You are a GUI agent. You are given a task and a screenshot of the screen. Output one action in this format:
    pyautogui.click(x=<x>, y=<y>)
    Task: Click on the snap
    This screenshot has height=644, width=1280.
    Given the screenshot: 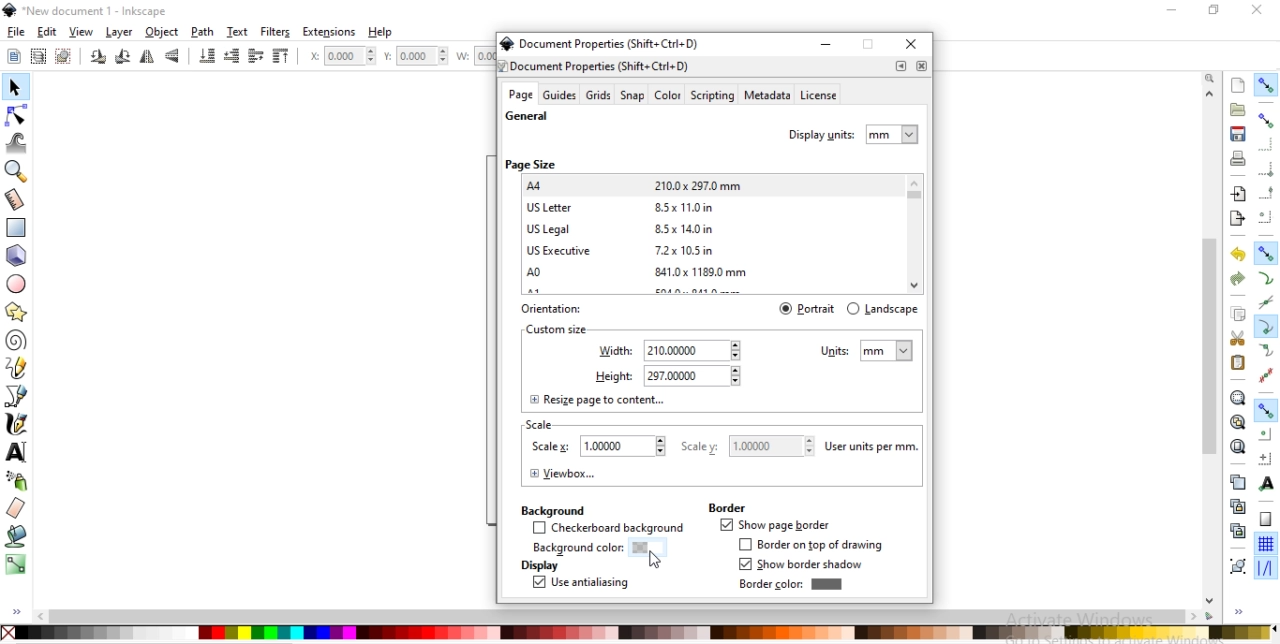 What is the action you would take?
    pyautogui.click(x=633, y=96)
    